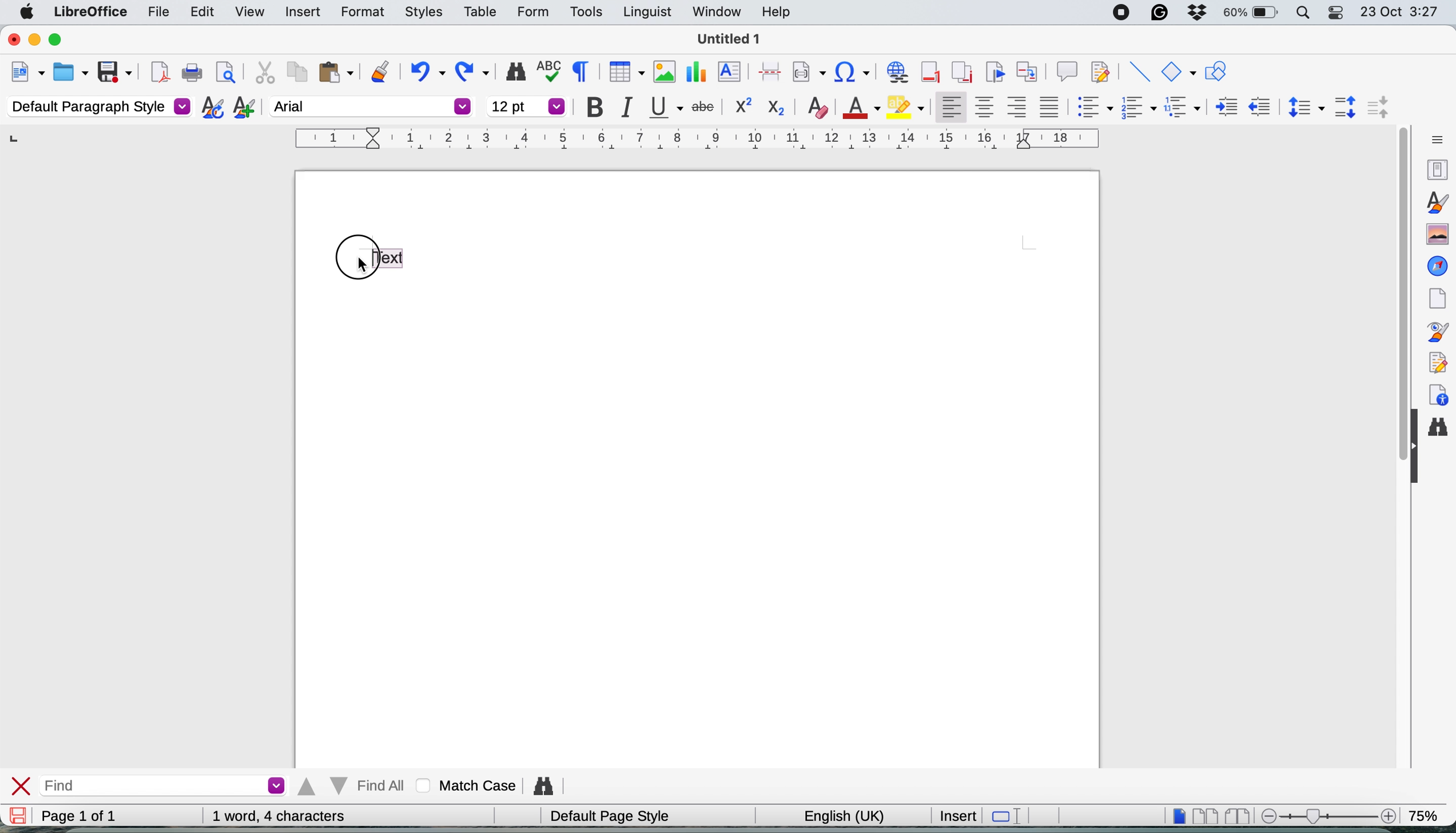  Describe the element at coordinates (837, 815) in the screenshot. I see `english uk` at that location.